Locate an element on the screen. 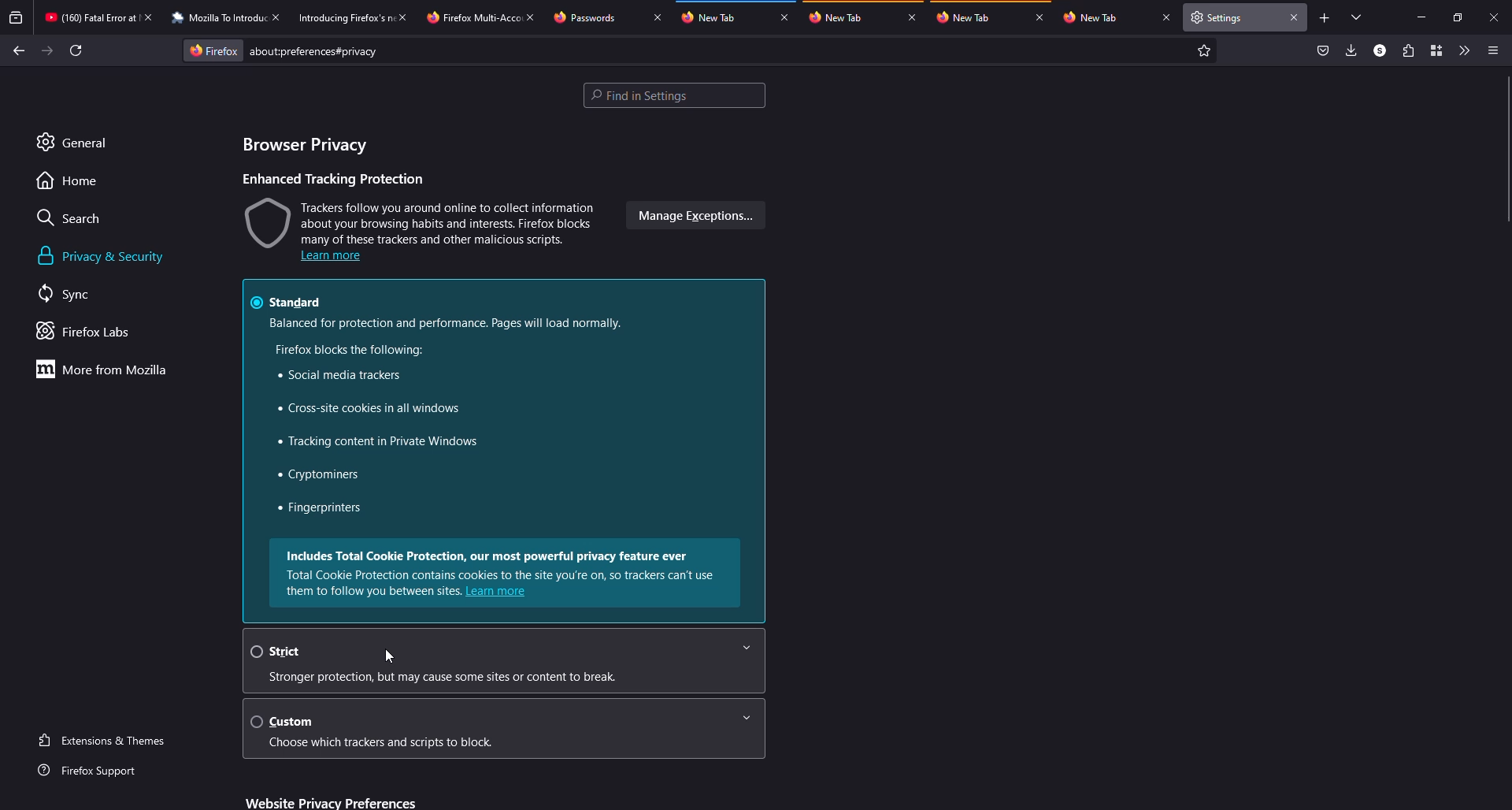 This screenshot has height=810, width=1512. extensions is located at coordinates (1406, 50).